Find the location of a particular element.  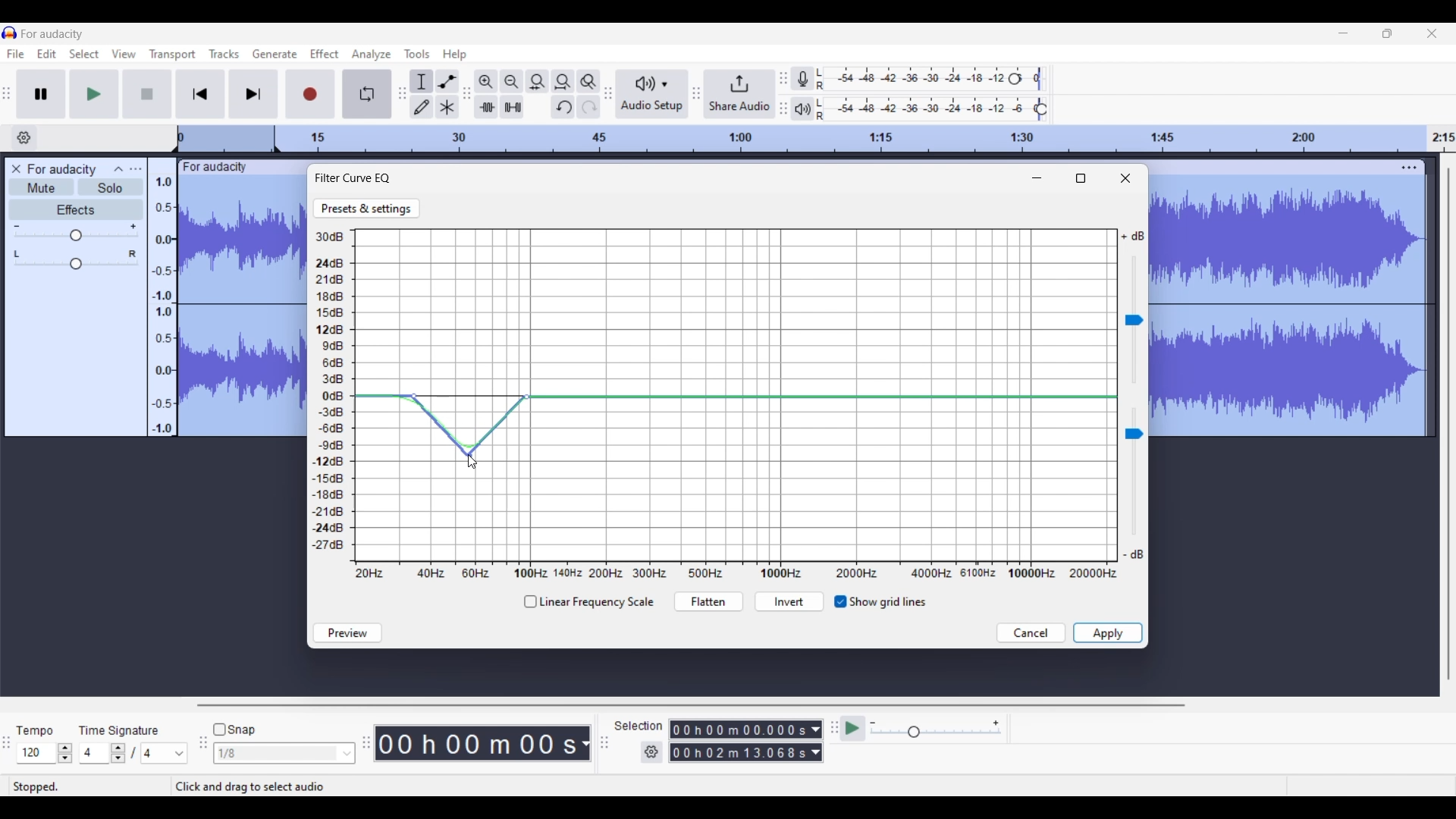

Solo is located at coordinates (111, 187).